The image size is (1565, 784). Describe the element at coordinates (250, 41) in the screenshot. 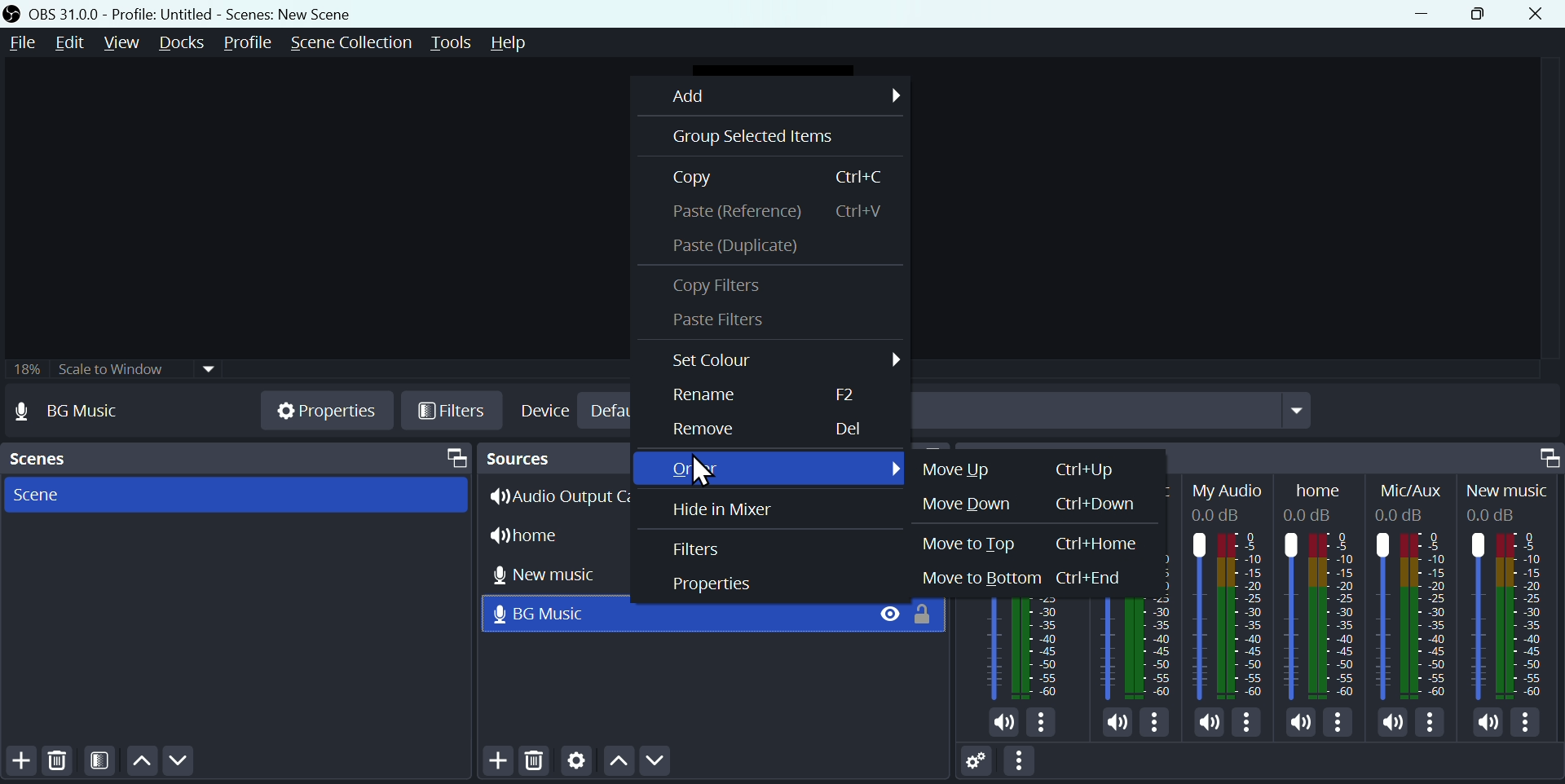

I see `Profile` at that location.